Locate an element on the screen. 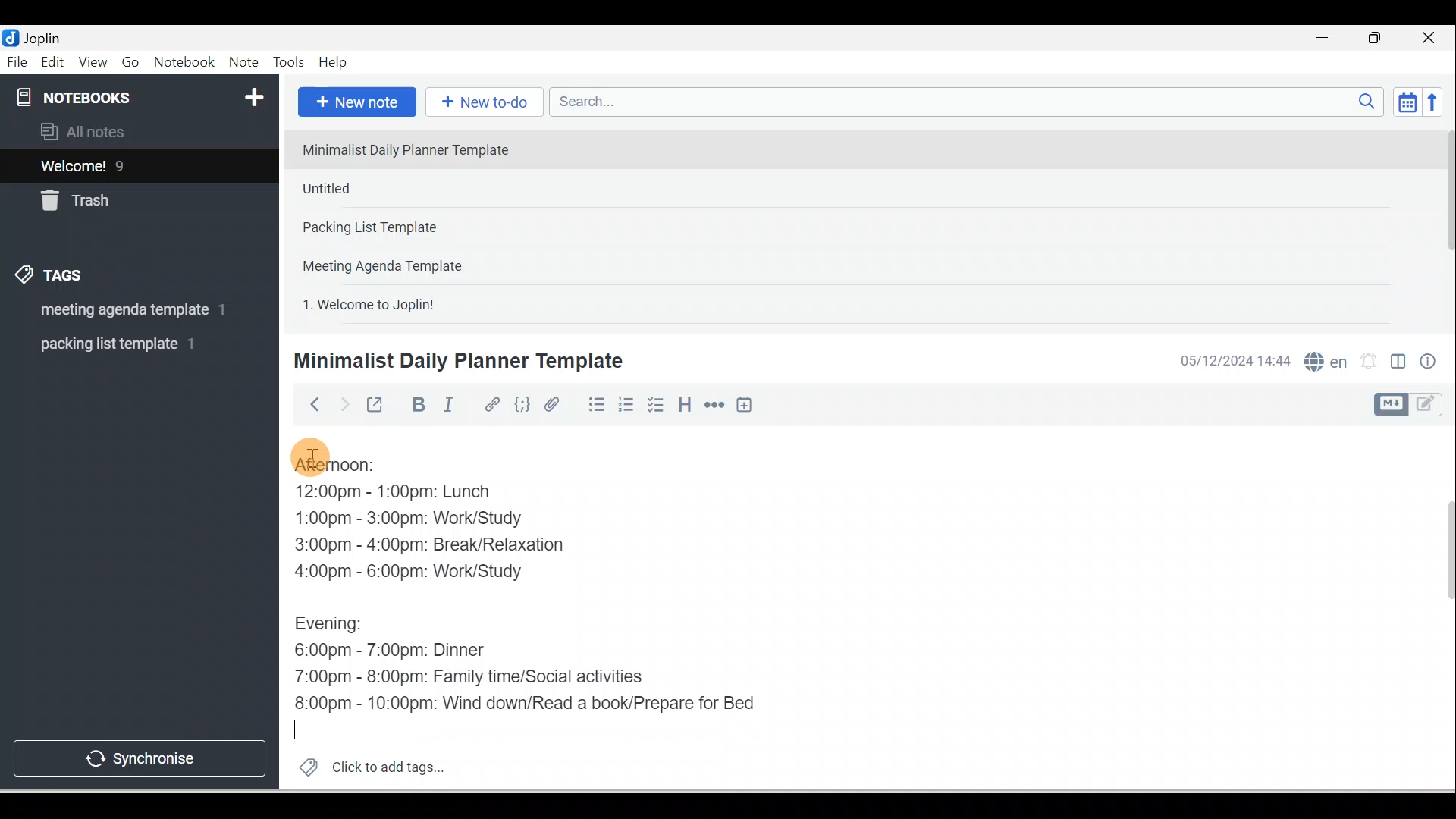  Note 4 is located at coordinates (403, 262).